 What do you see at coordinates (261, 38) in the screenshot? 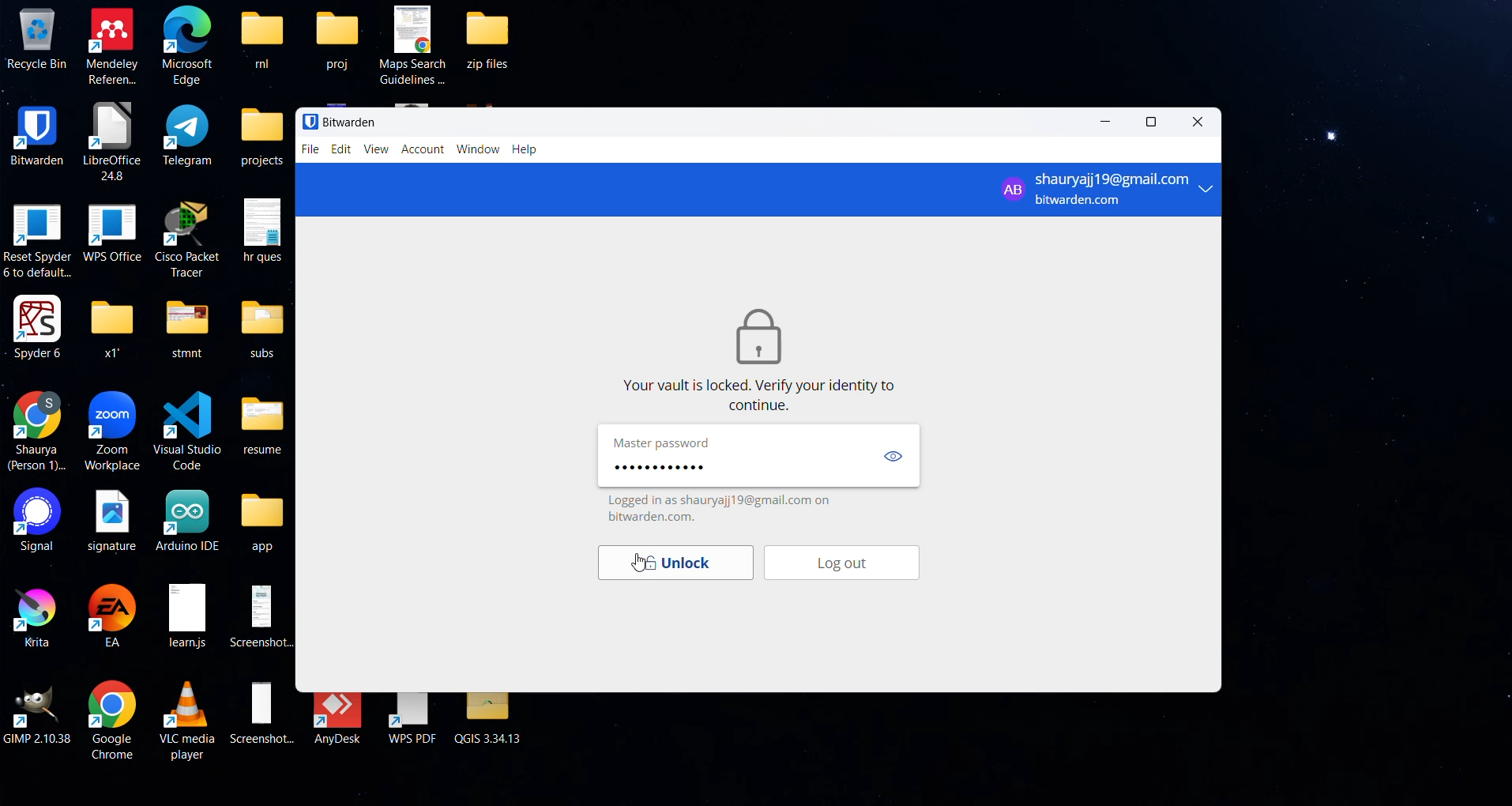
I see `ml` at bounding box center [261, 38].